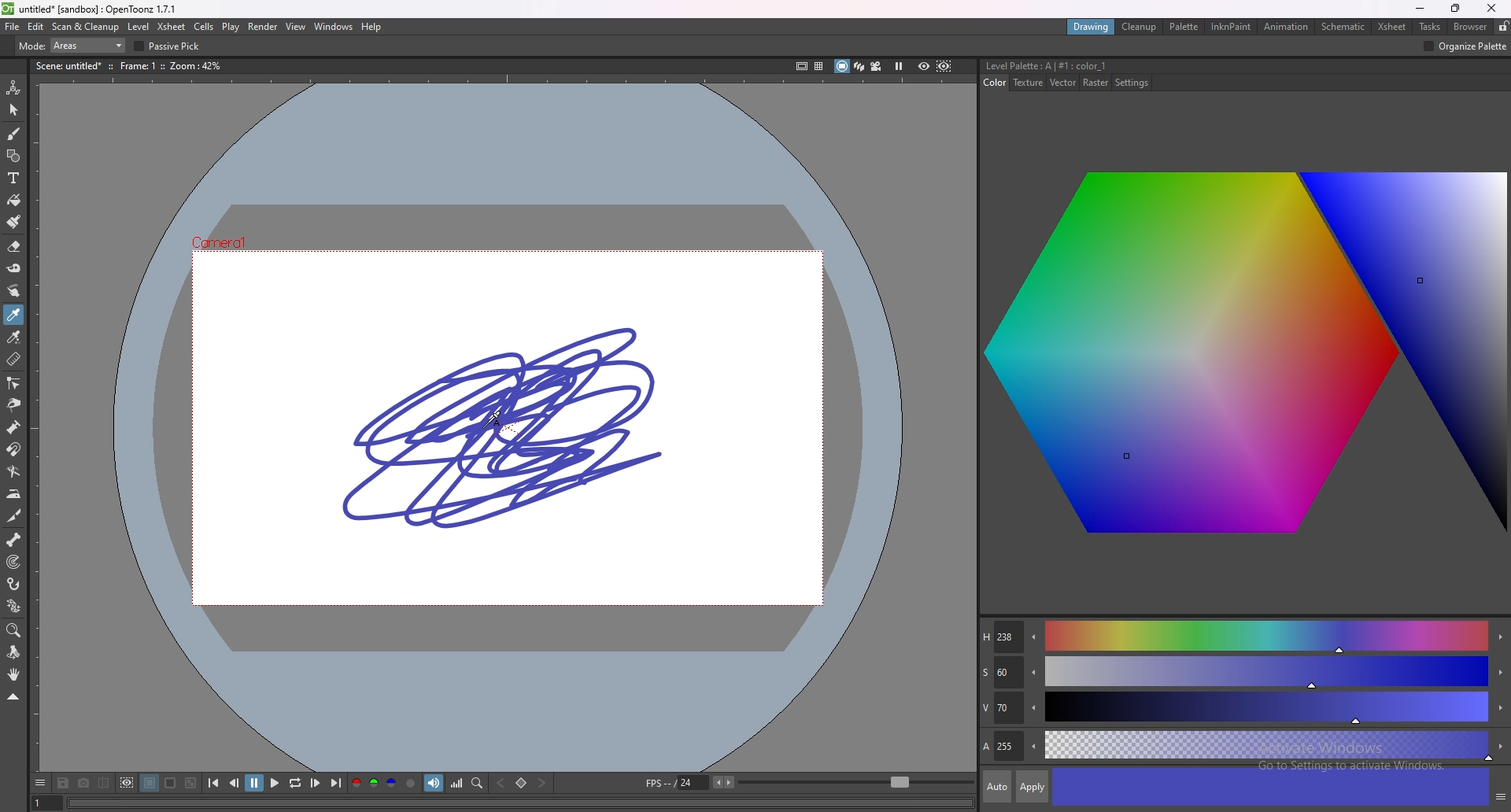 This screenshot has height=812, width=1511. Describe the element at coordinates (13, 290) in the screenshot. I see `finger tool` at that location.